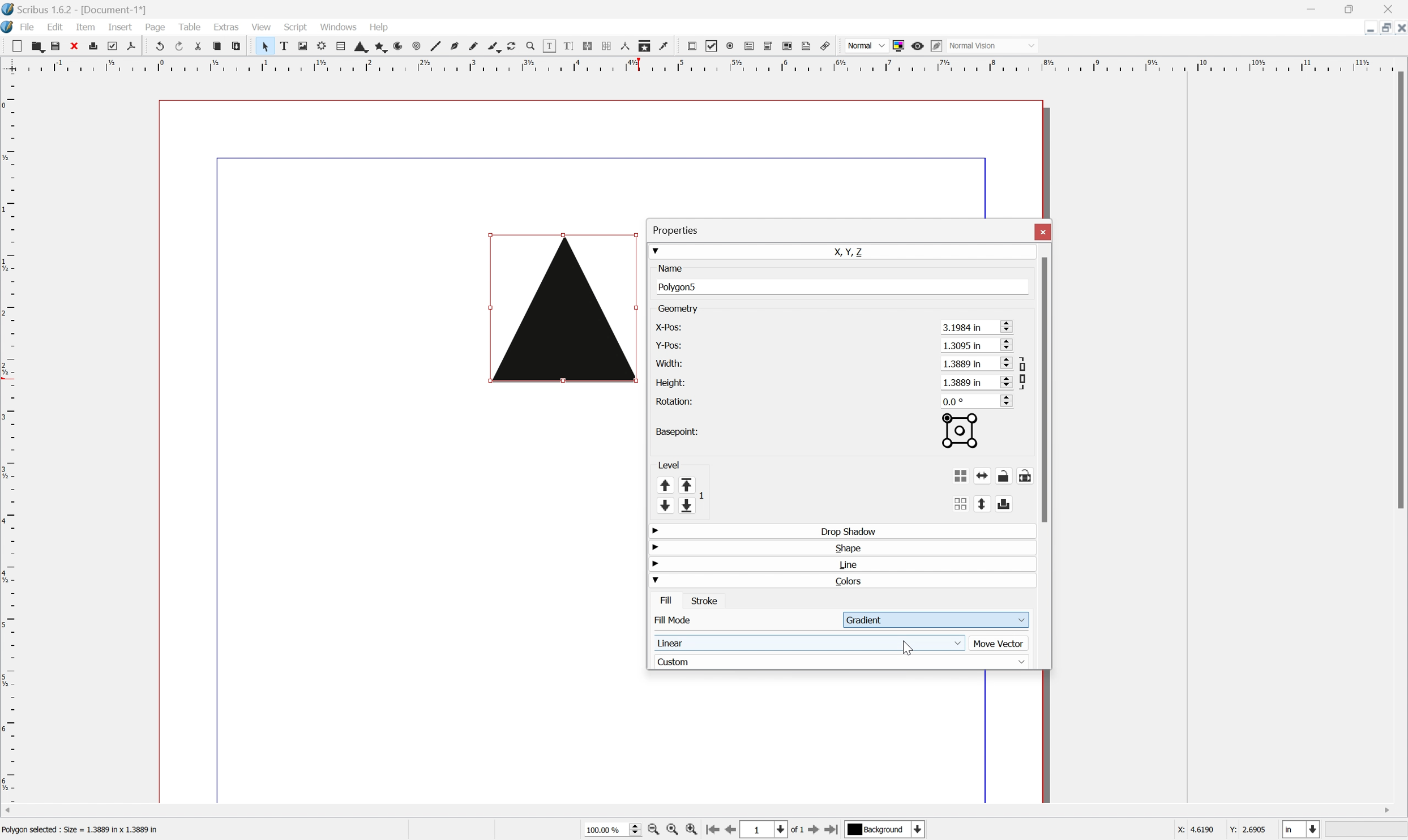 The height and width of the screenshot is (840, 1408). Describe the element at coordinates (1018, 362) in the screenshot. I see `Scroll` at that location.